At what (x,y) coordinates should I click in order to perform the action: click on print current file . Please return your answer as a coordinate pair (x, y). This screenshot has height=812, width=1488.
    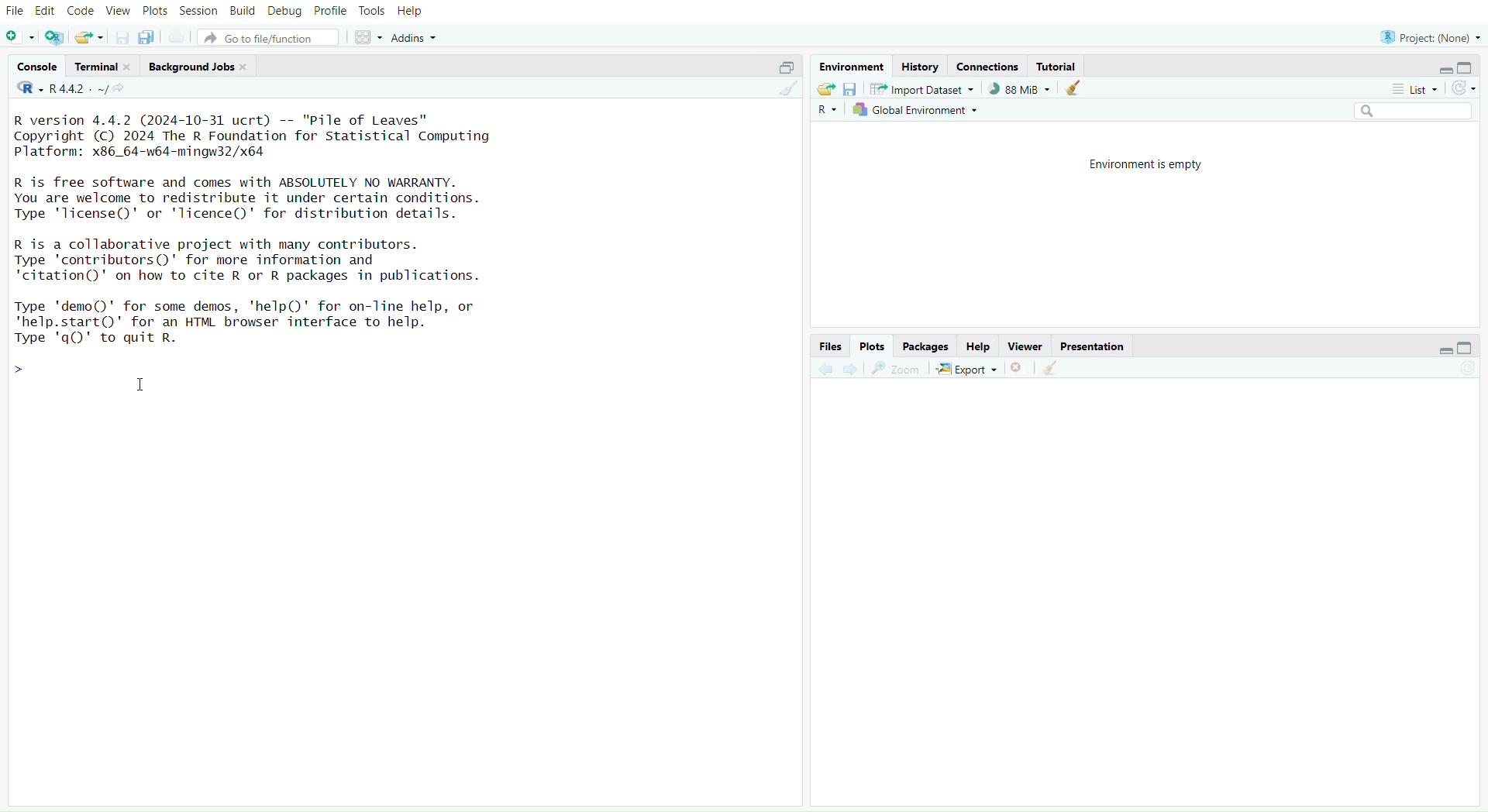
    Looking at the image, I should click on (179, 38).